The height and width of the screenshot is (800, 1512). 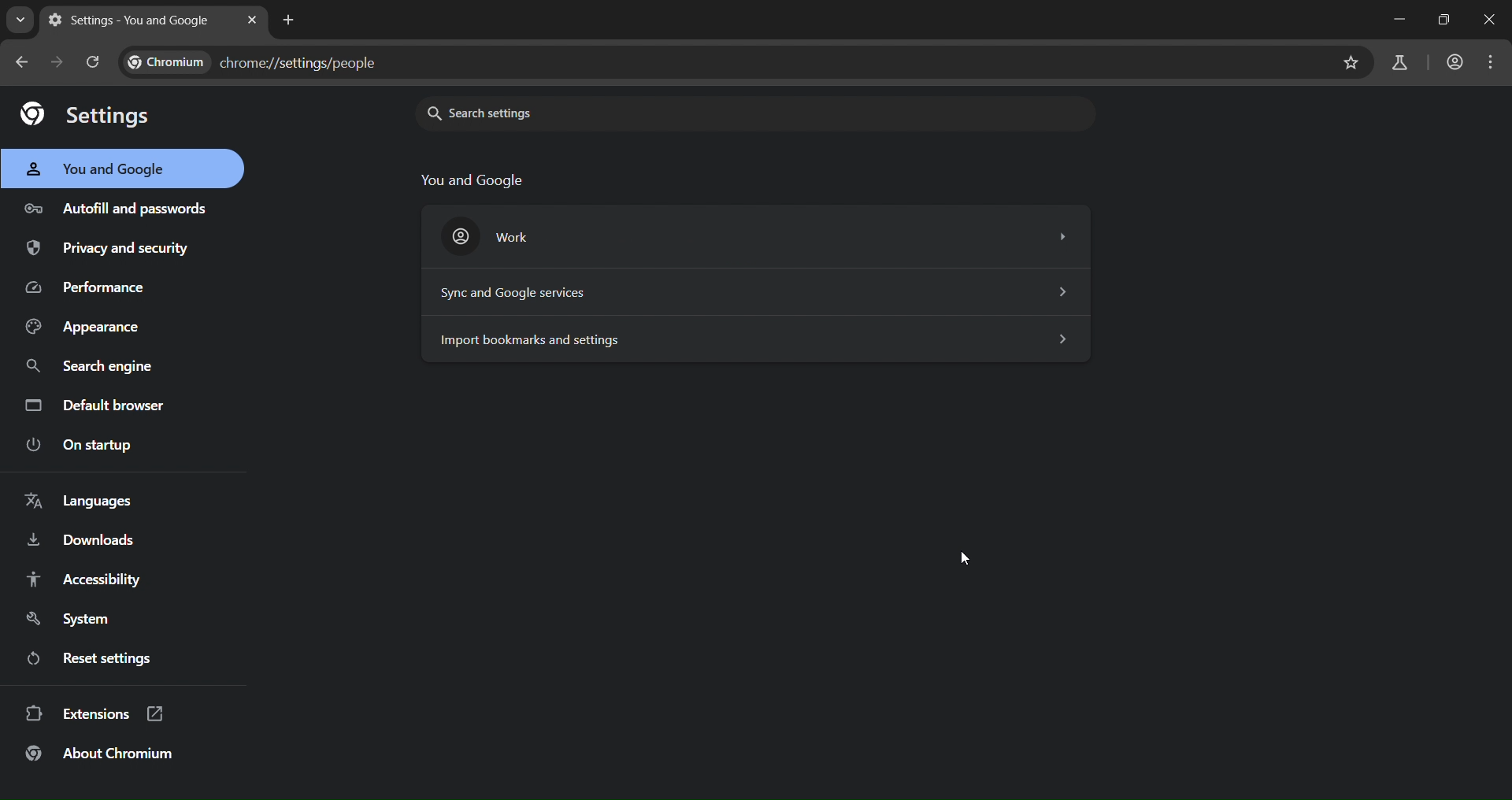 What do you see at coordinates (94, 60) in the screenshot?
I see `reload page` at bounding box center [94, 60].